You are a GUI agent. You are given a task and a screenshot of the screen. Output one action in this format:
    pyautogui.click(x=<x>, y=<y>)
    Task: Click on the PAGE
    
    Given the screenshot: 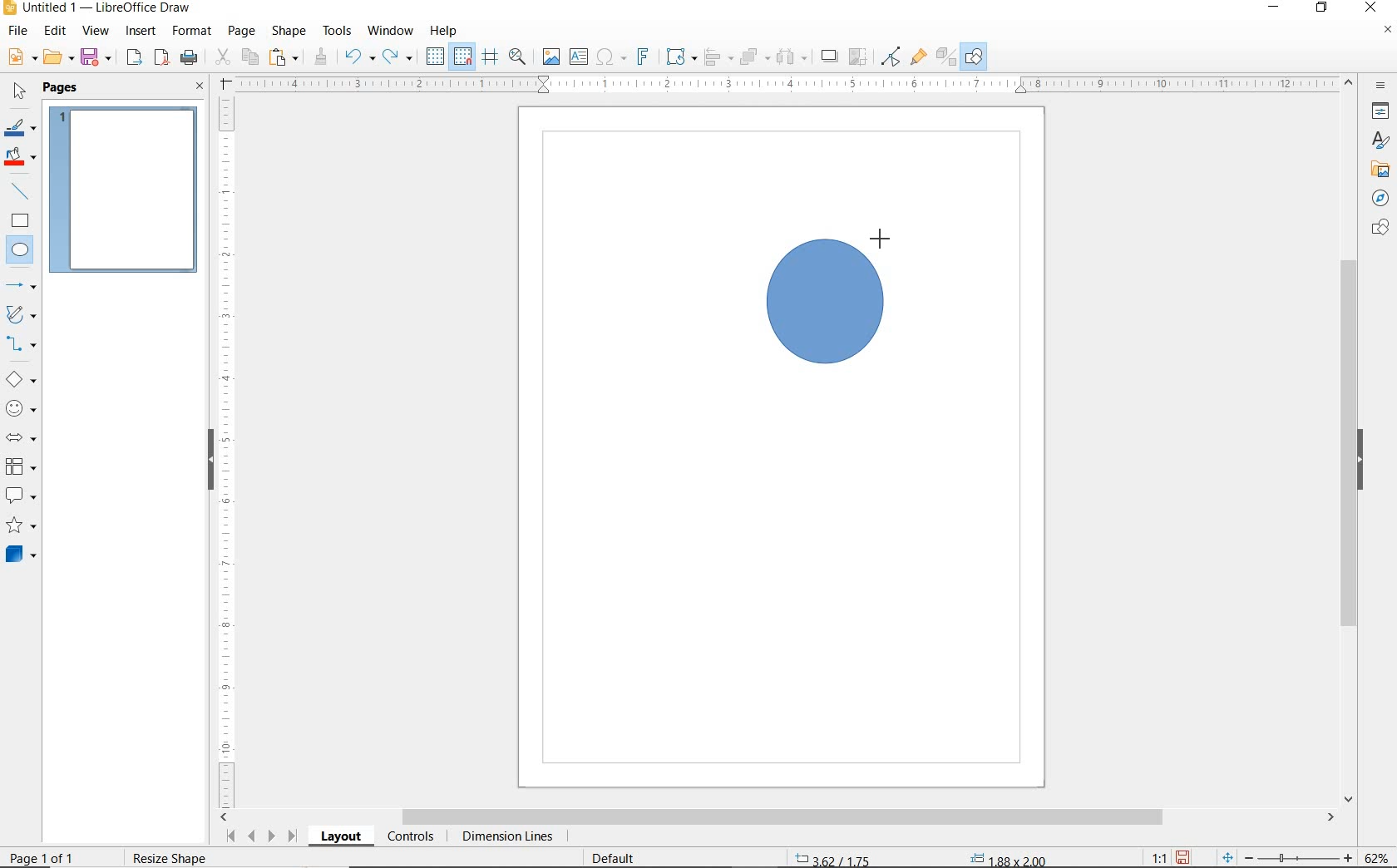 What is the action you would take?
    pyautogui.click(x=241, y=31)
    